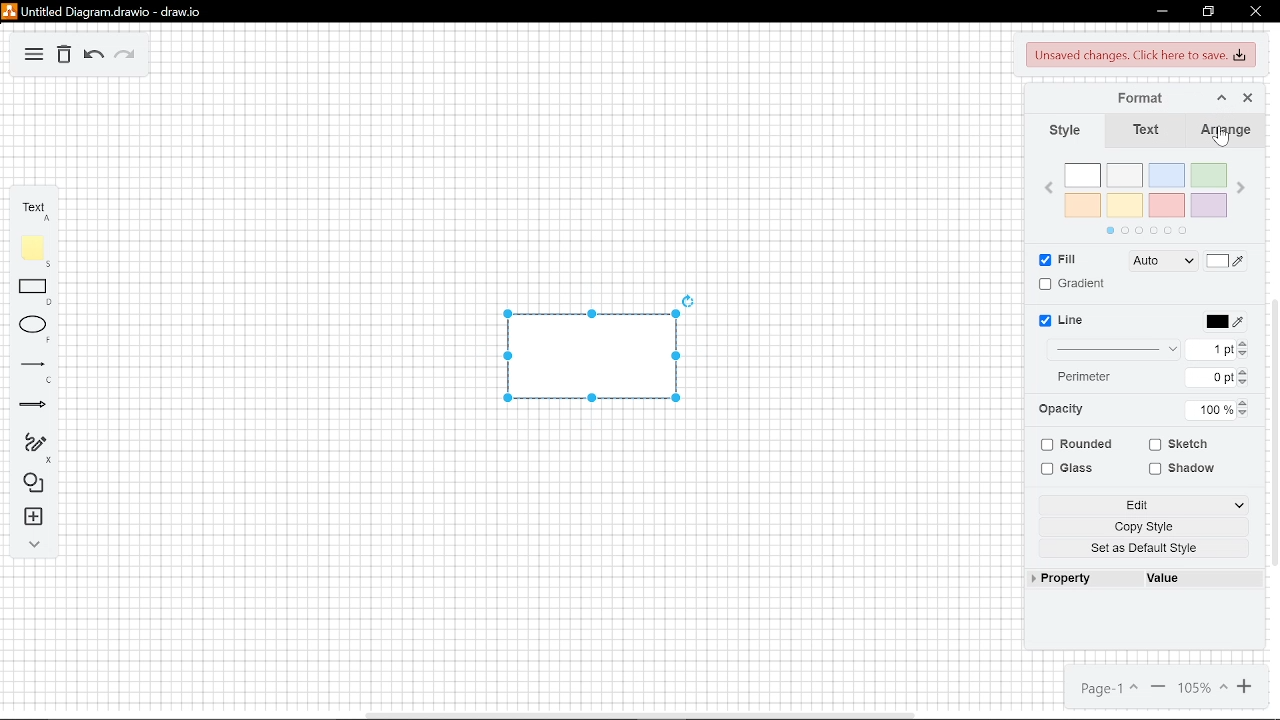  What do you see at coordinates (1169, 176) in the screenshot?
I see `blue` at bounding box center [1169, 176].